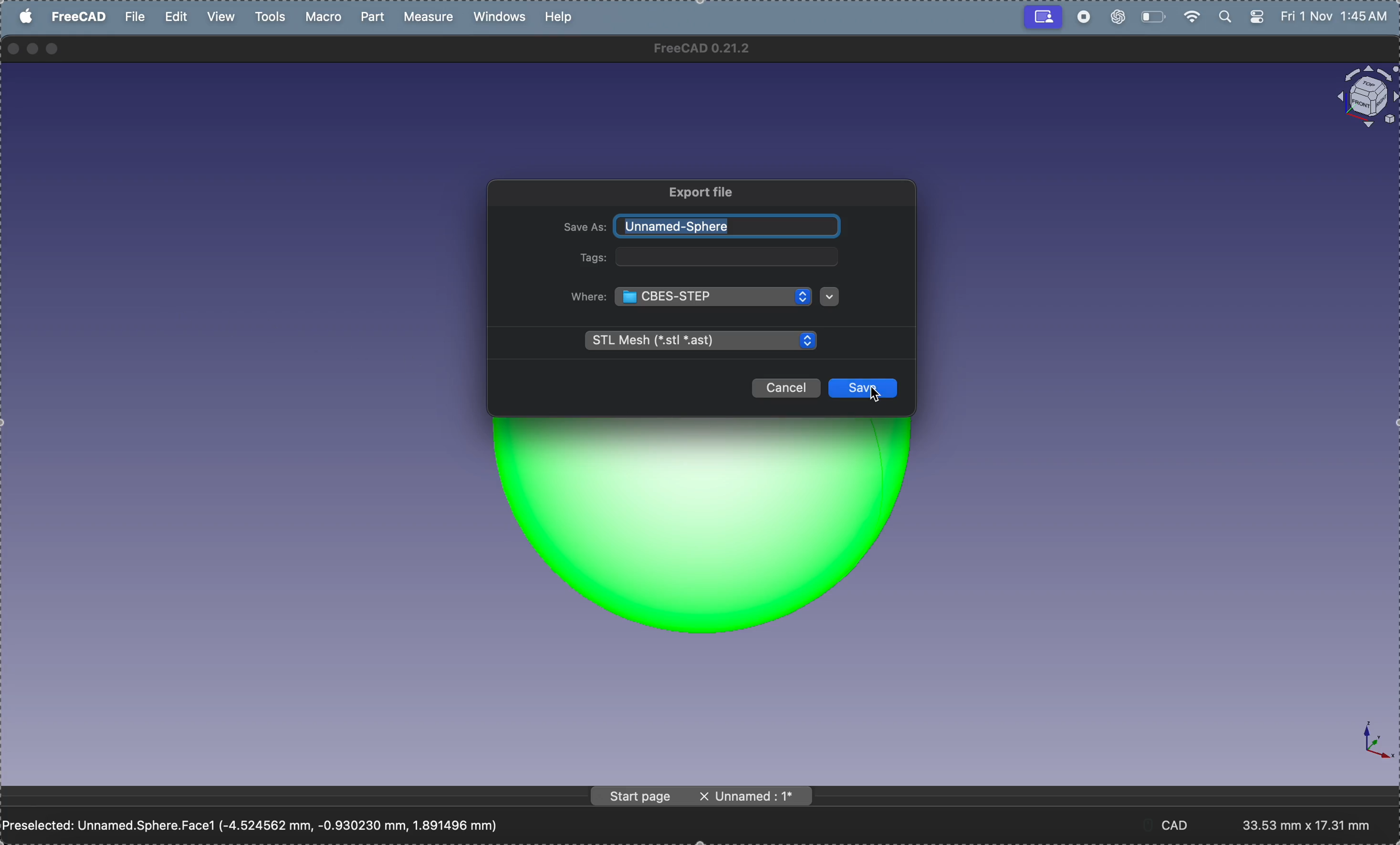  What do you see at coordinates (589, 298) in the screenshot?
I see `where` at bounding box center [589, 298].